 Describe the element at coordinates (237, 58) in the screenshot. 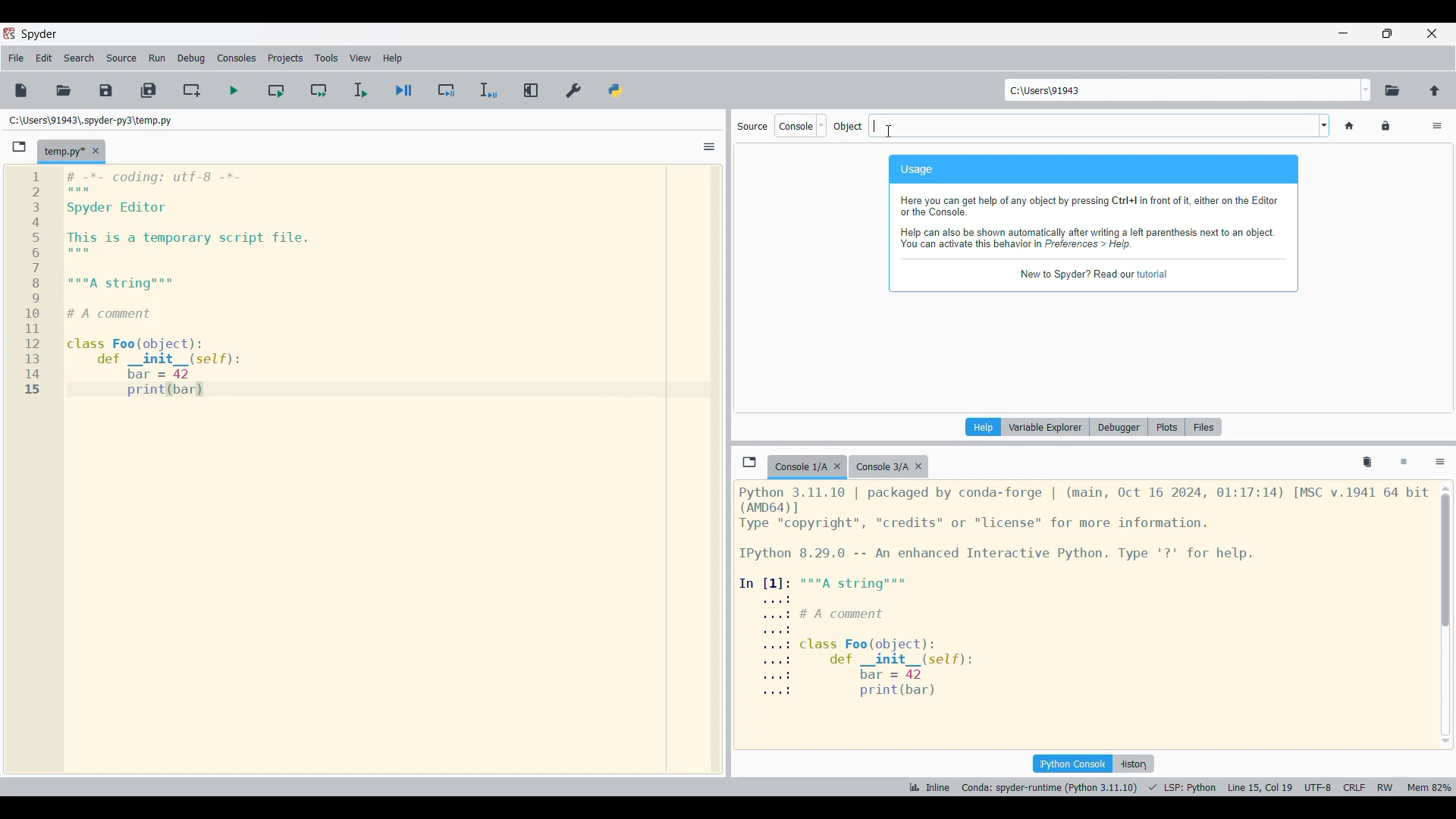

I see `Consoles menu` at that location.